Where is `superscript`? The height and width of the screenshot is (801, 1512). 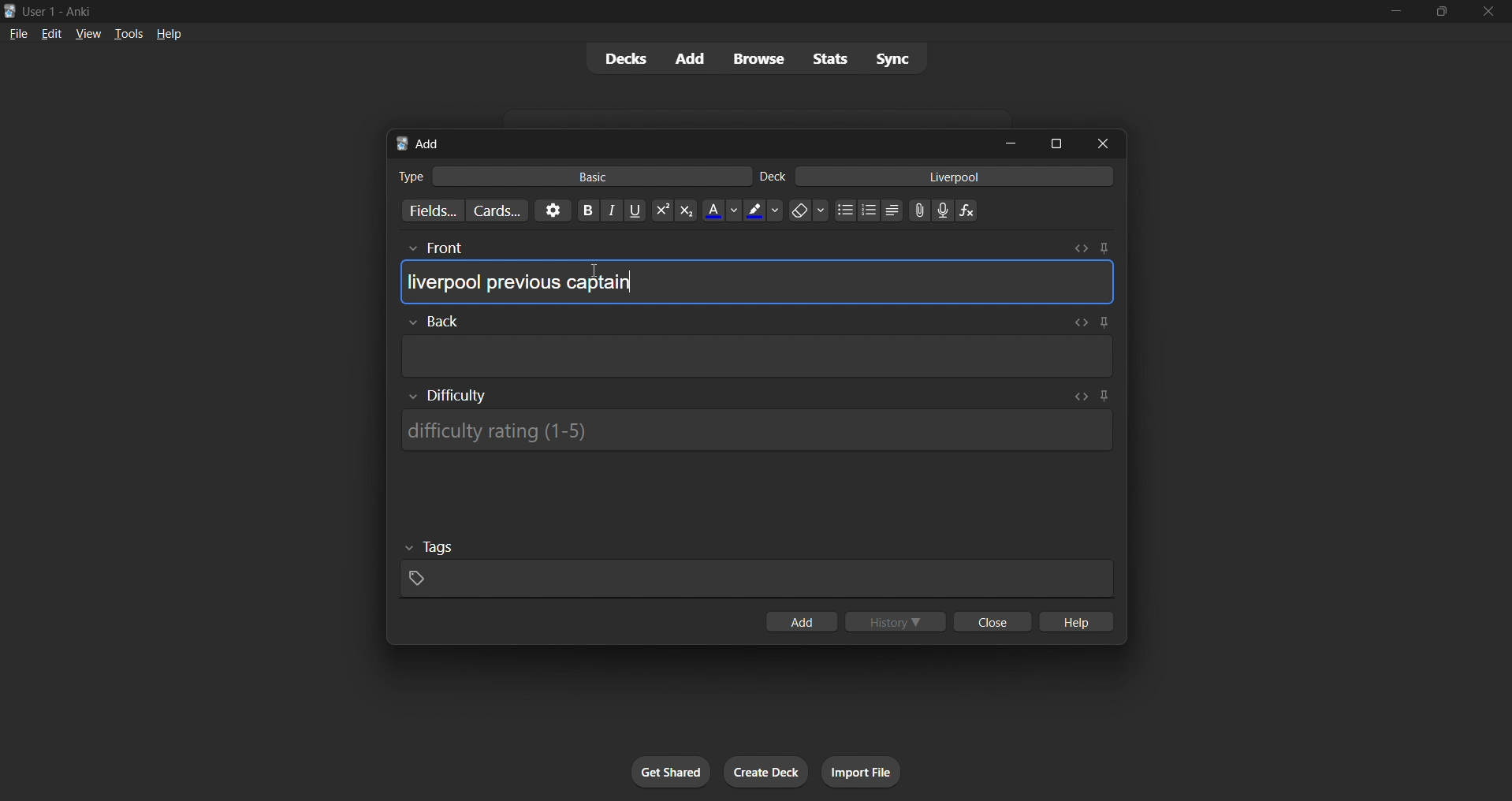
superscript is located at coordinates (661, 211).